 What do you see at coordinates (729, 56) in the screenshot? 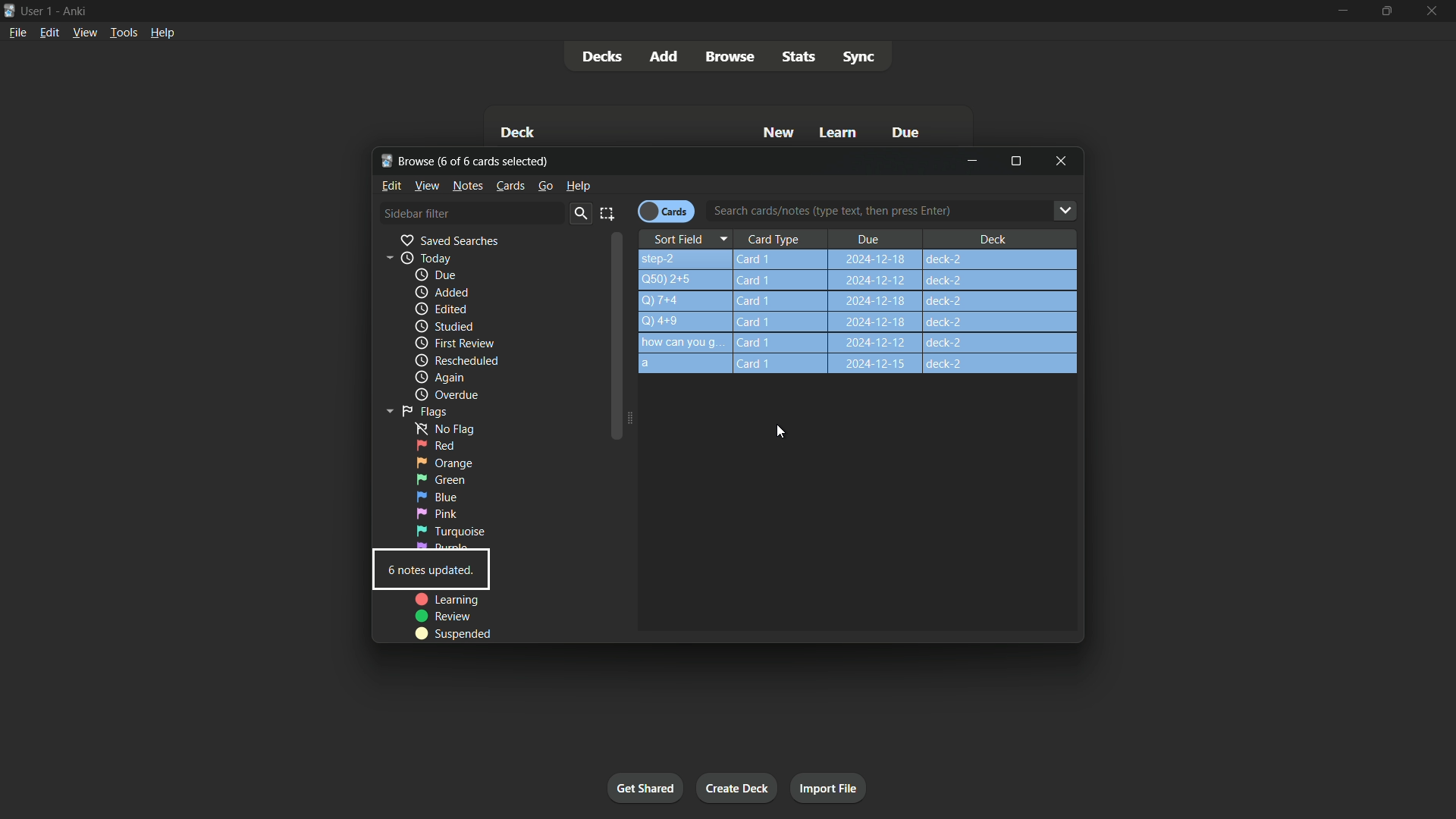
I see `Browse` at bounding box center [729, 56].